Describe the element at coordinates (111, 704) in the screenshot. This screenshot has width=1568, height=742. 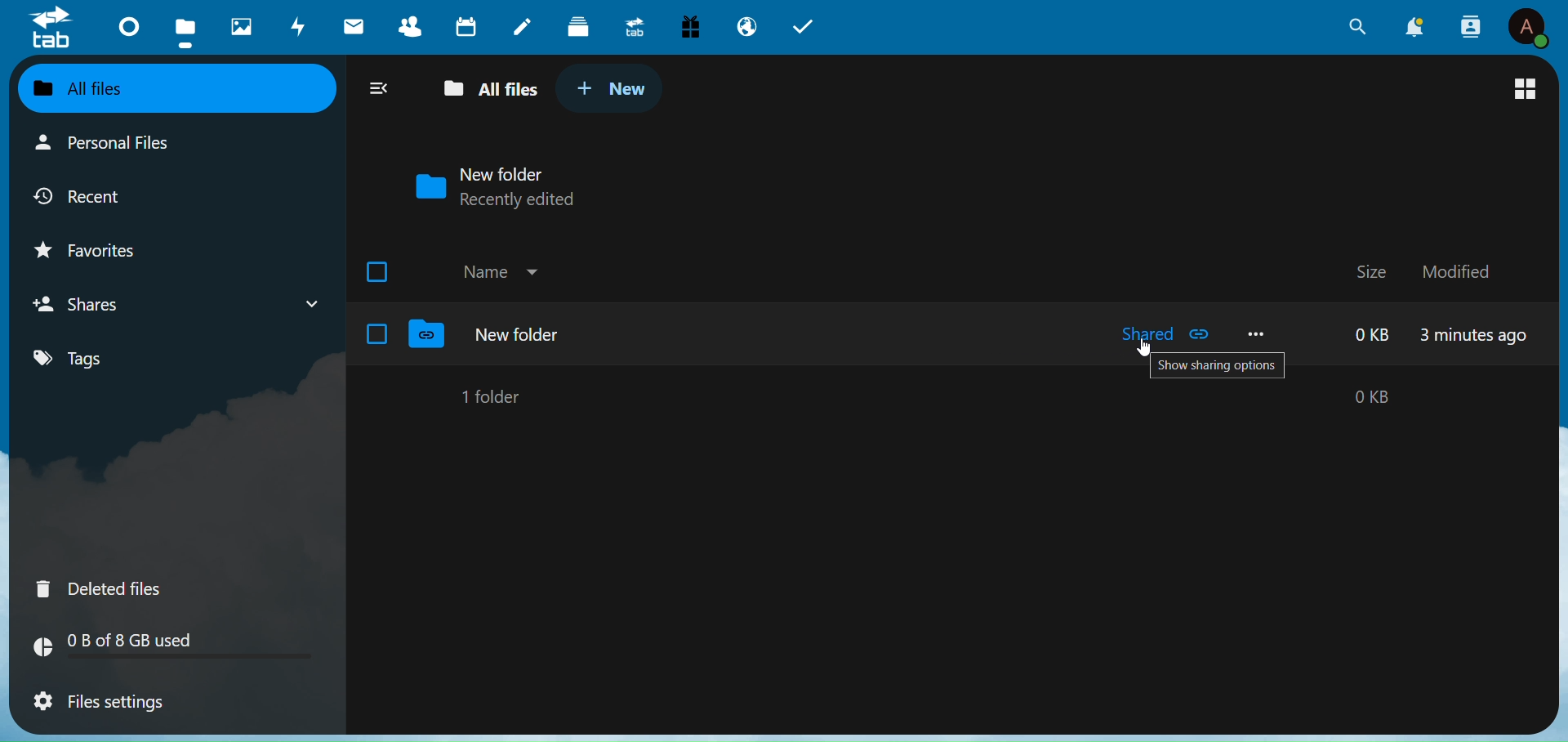
I see `File Settings` at that location.